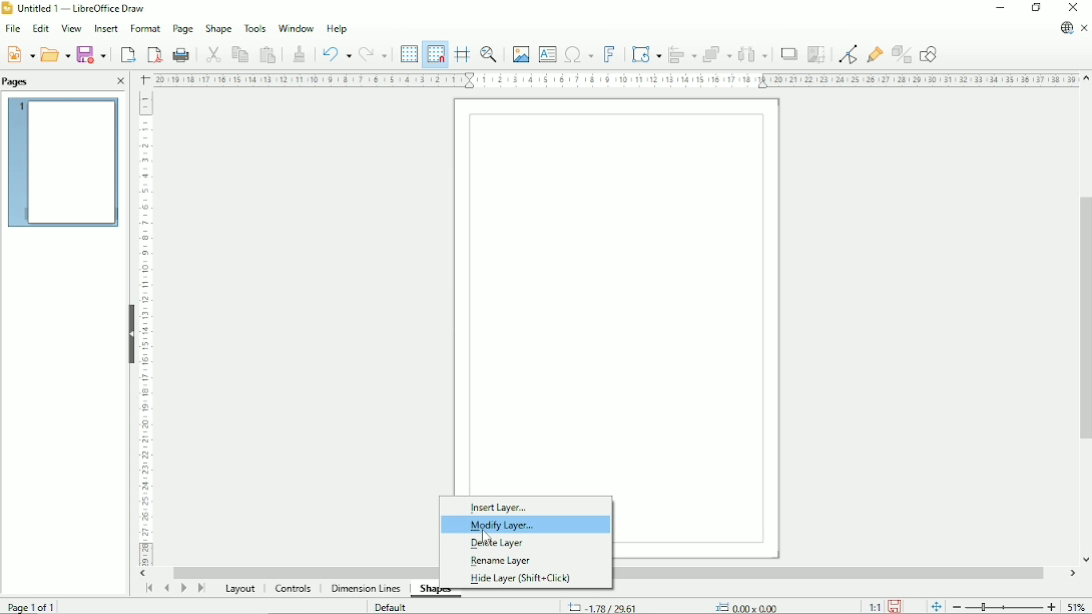 The width and height of the screenshot is (1092, 614). What do you see at coordinates (501, 561) in the screenshot?
I see `Rename layer` at bounding box center [501, 561].